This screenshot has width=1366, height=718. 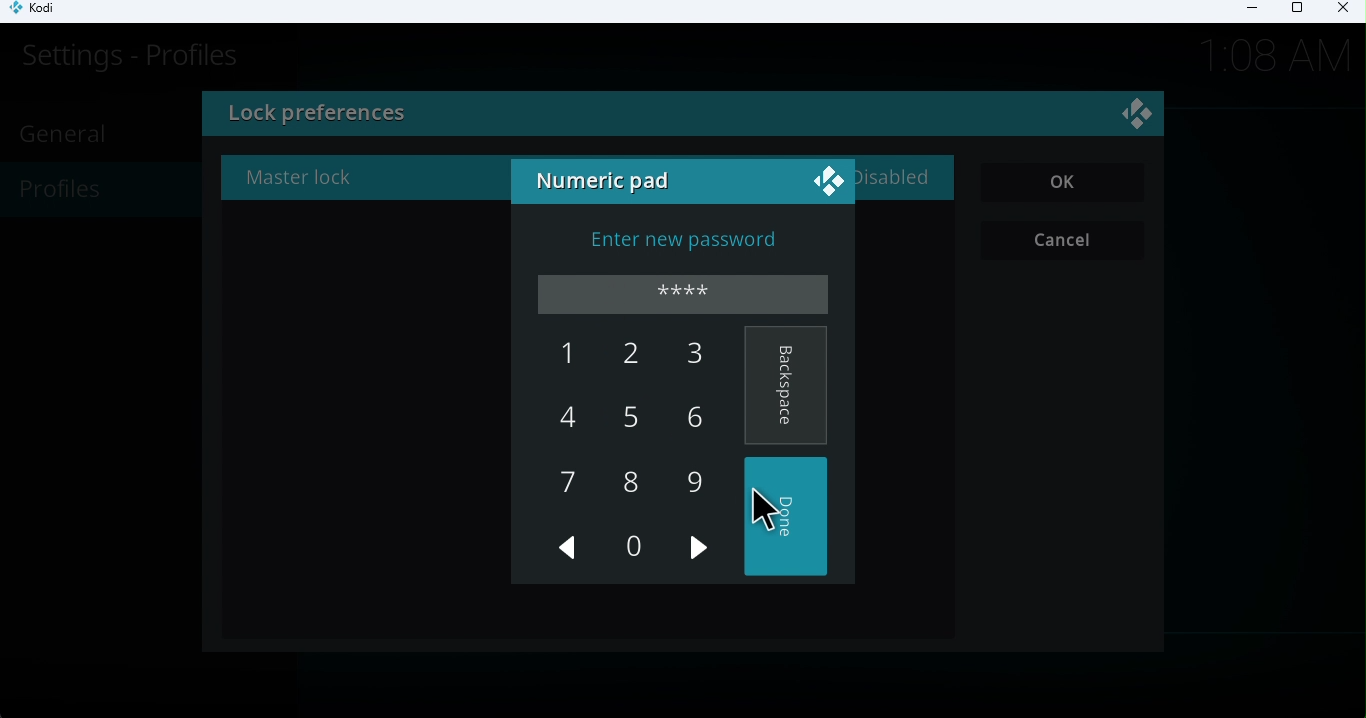 I want to click on Close, so click(x=1340, y=11).